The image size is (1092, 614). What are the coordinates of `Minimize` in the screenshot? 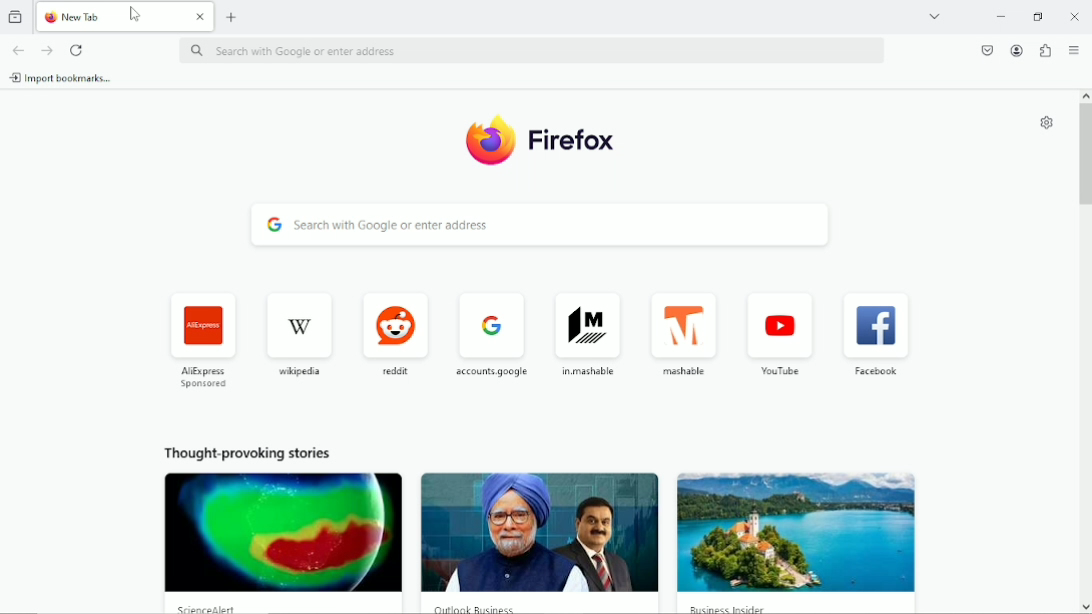 It's located at (1000, 17).